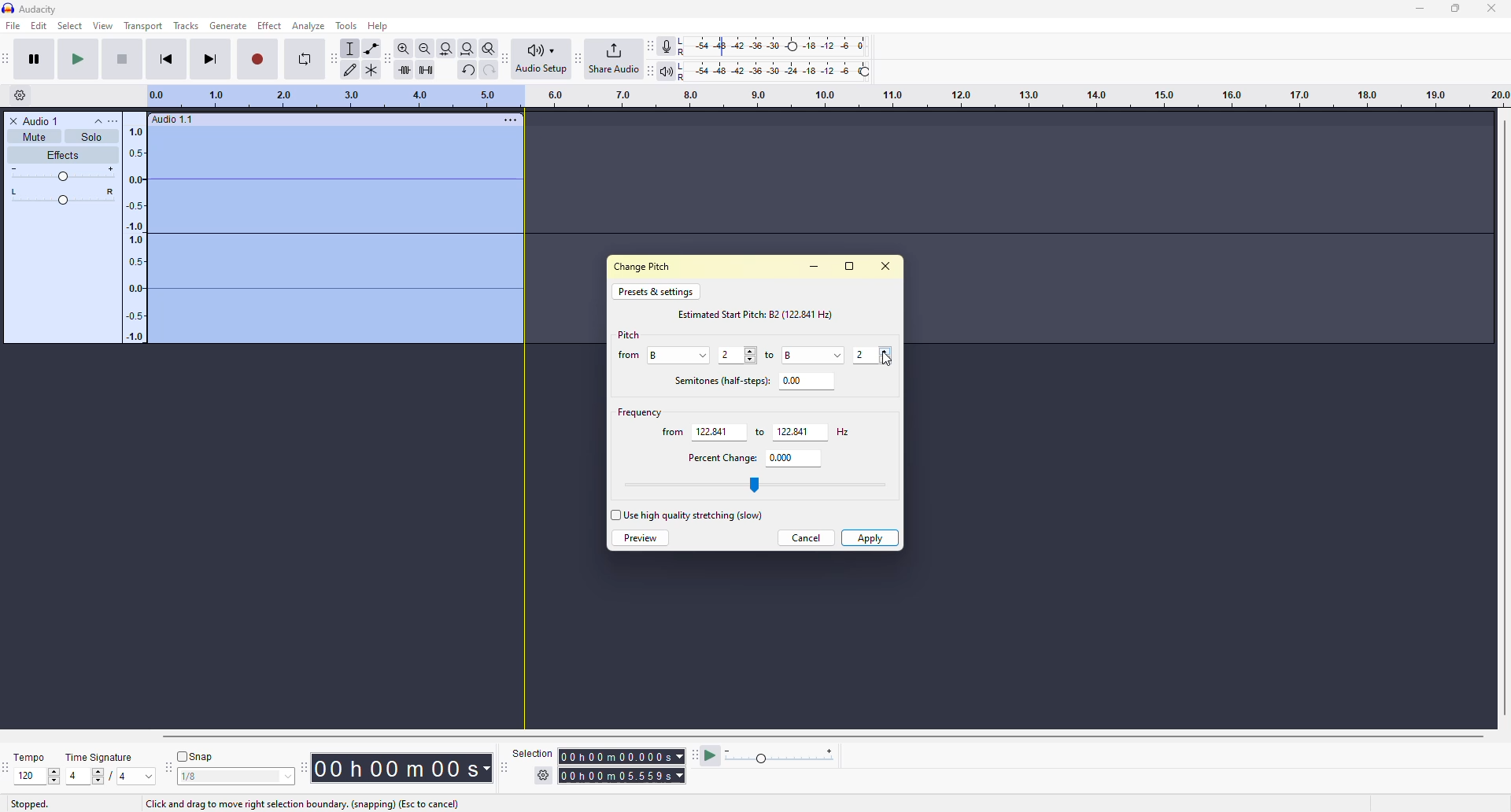  Describe the element at coordinates (61, 156) in the screenshot. I see `effects` at that location.